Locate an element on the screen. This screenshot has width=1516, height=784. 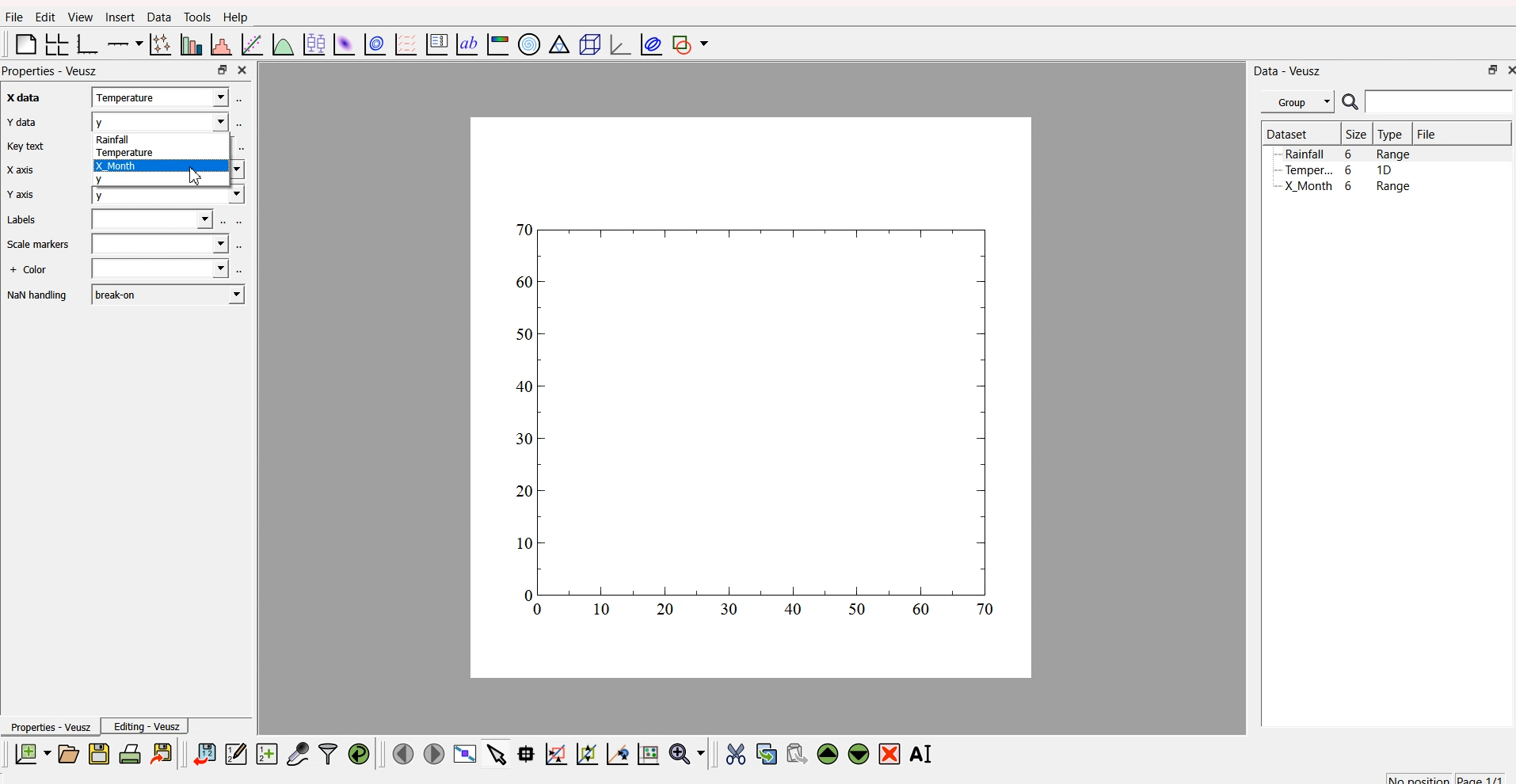
blank page is located at coordinates (22, 47).